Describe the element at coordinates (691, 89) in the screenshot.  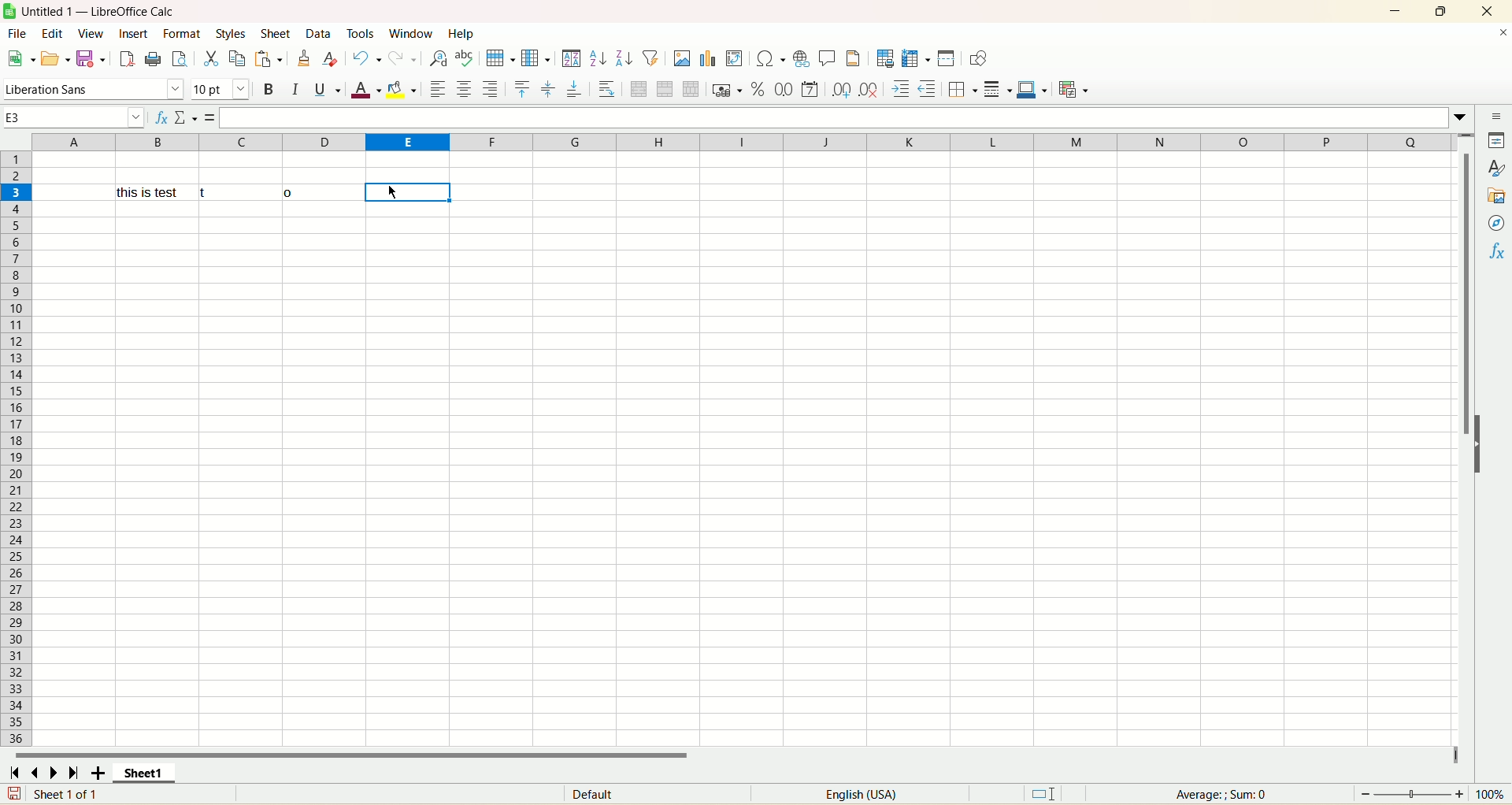
I see `unmerge cells` at that location.